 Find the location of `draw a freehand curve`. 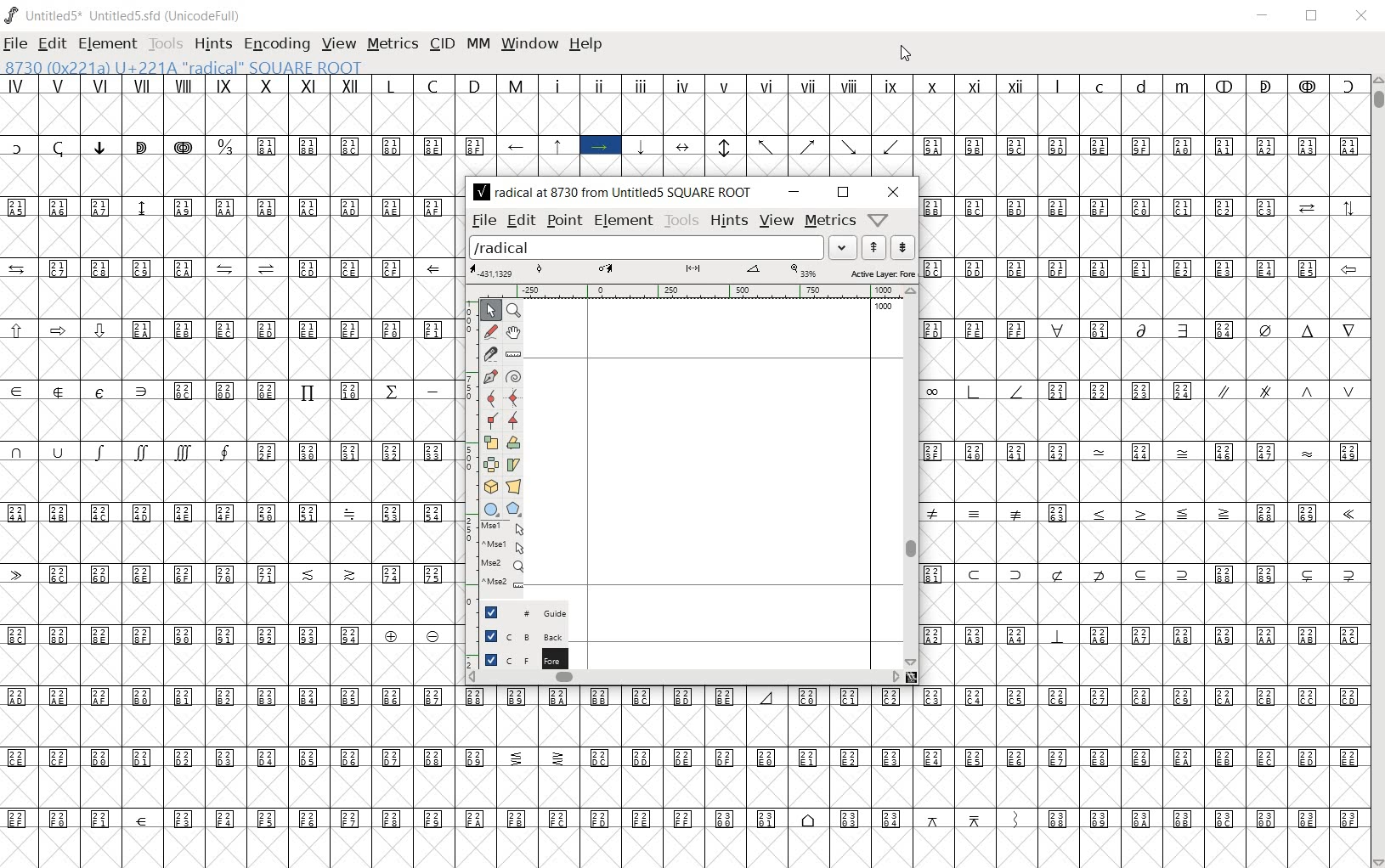

draw a freehand curve is located at coordinates (490, 331).